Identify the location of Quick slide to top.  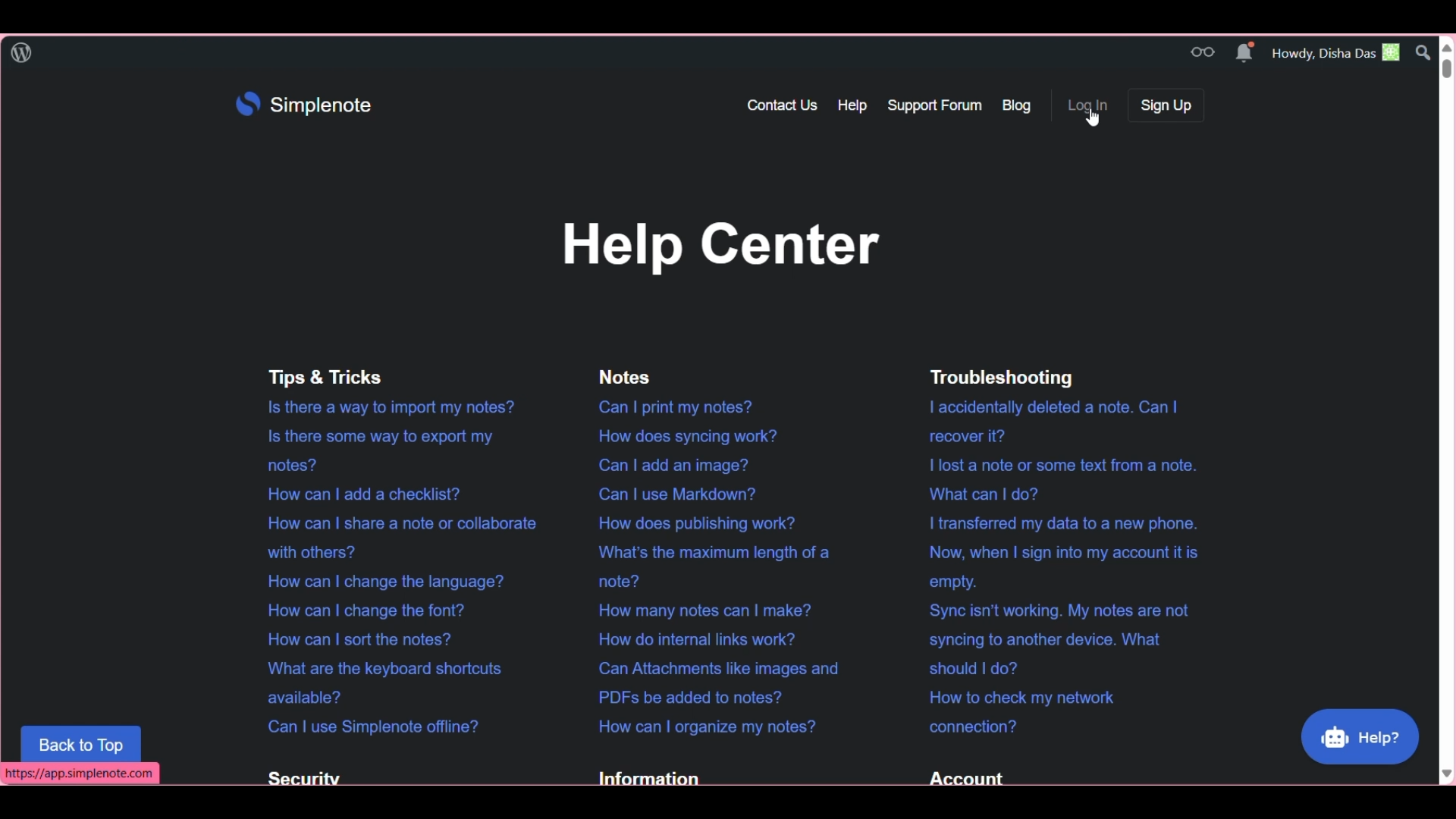
(1447, 48).